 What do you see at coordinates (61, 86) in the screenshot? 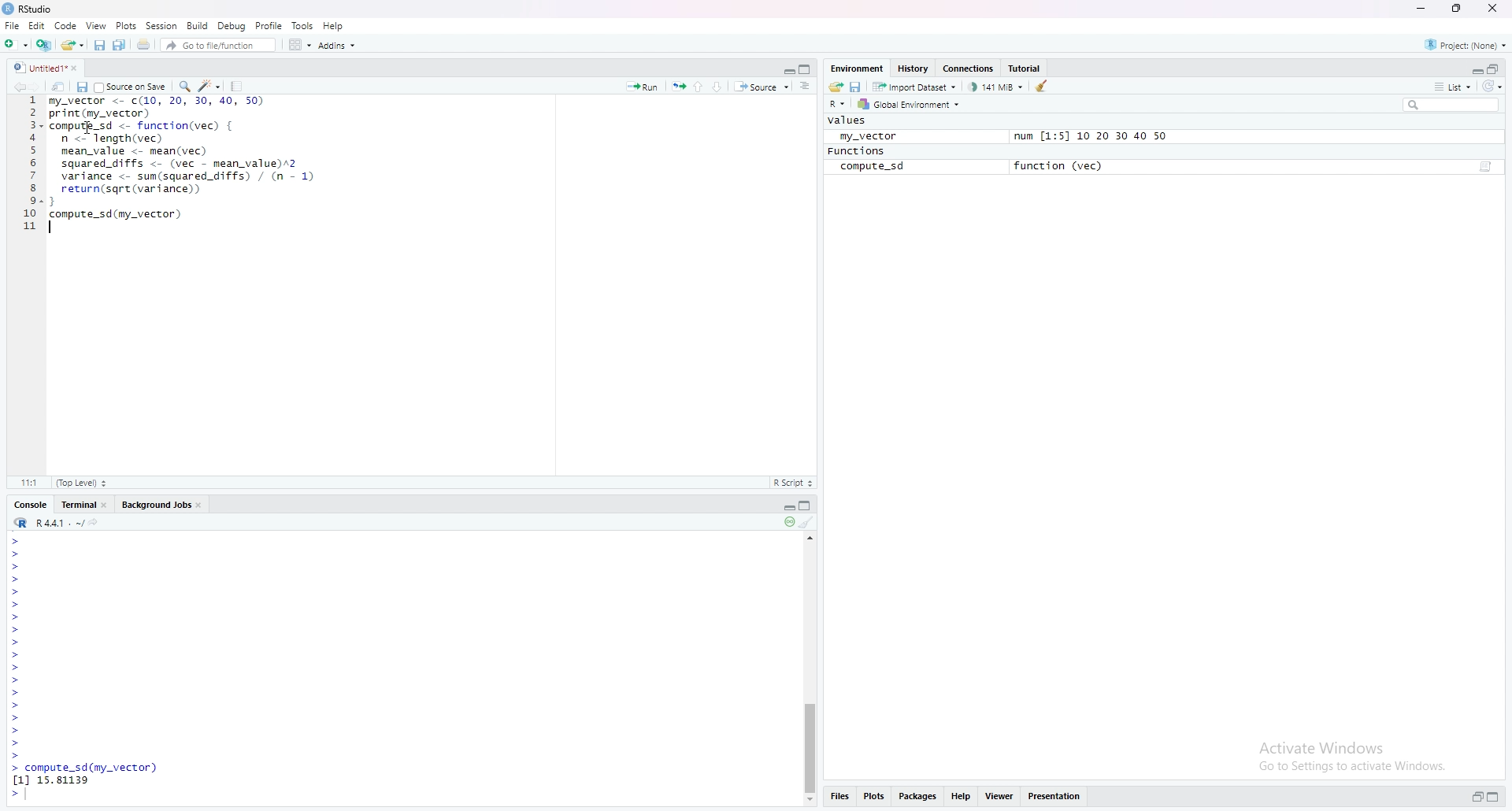
I see `Show in new window` at bounding box center [61, 86].